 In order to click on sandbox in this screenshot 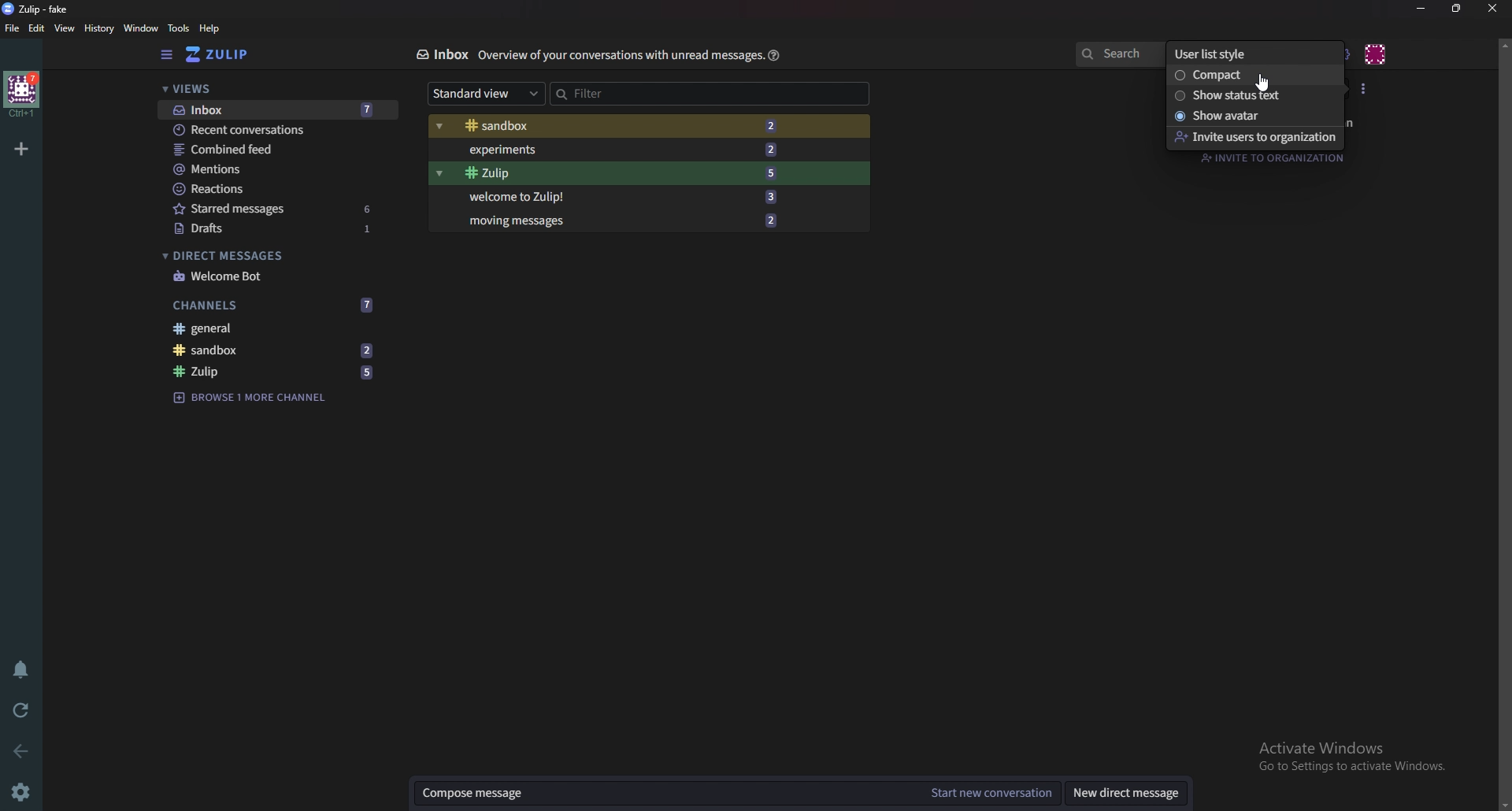, I will do `click(280, 350)`.